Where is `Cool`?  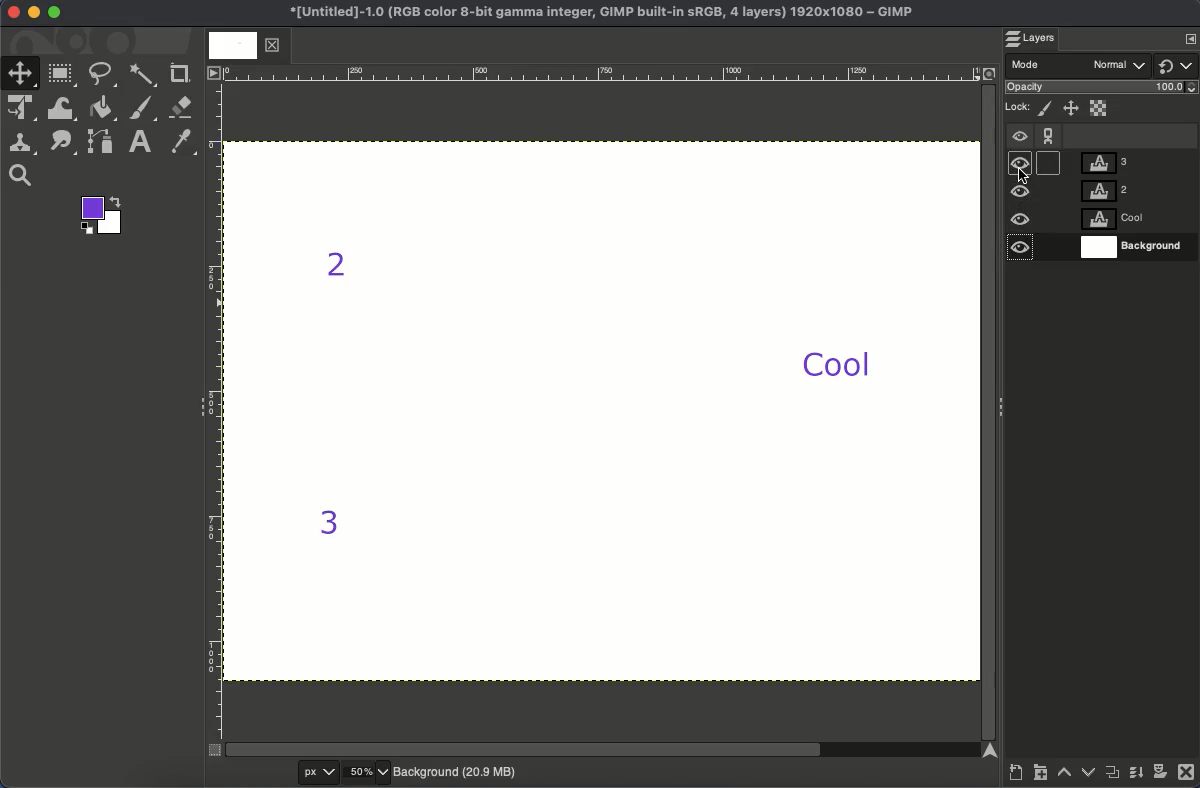
Cool is located at coordinates (835, 366).